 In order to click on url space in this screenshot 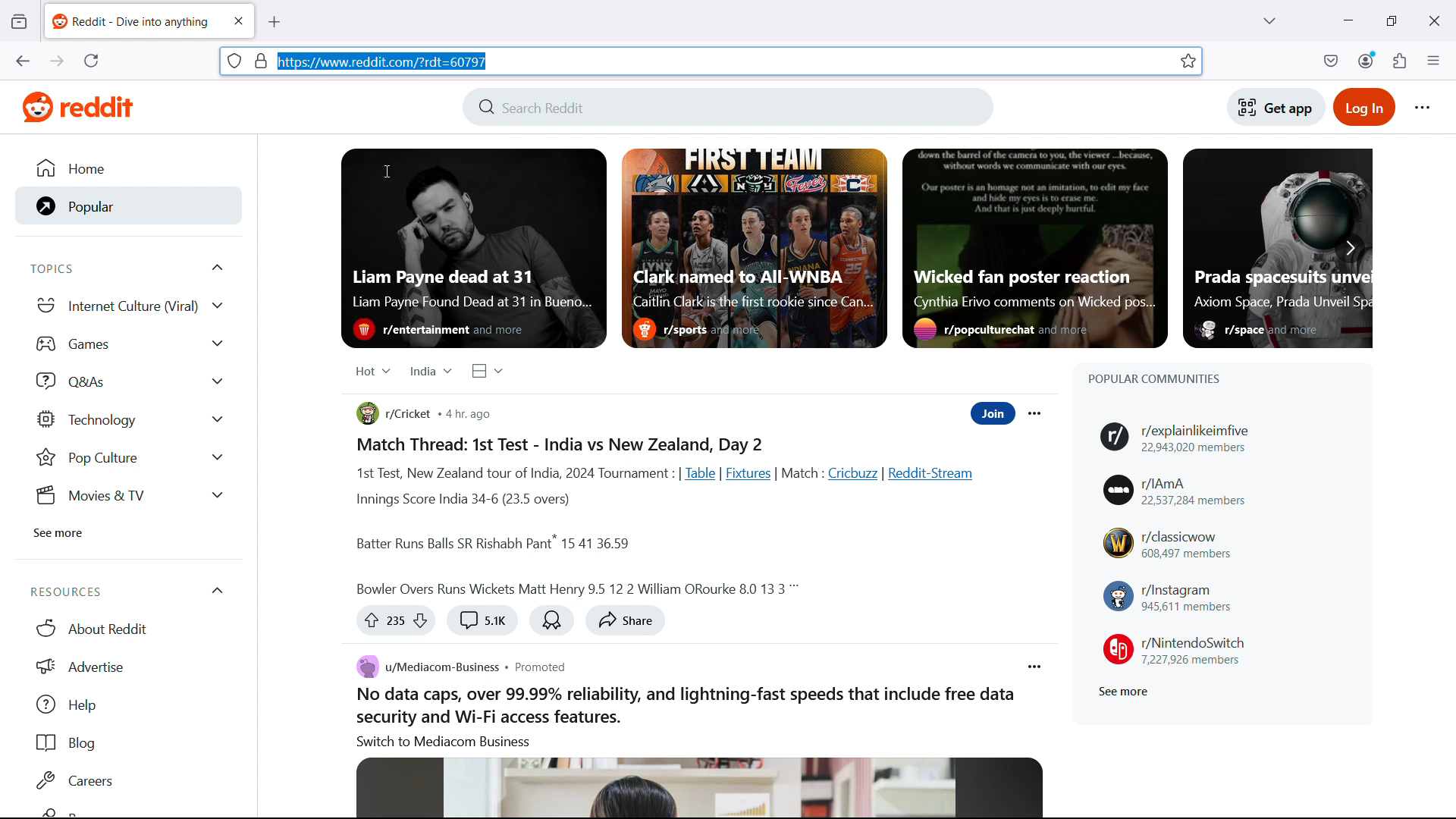, I will do `click(722, 61)`.